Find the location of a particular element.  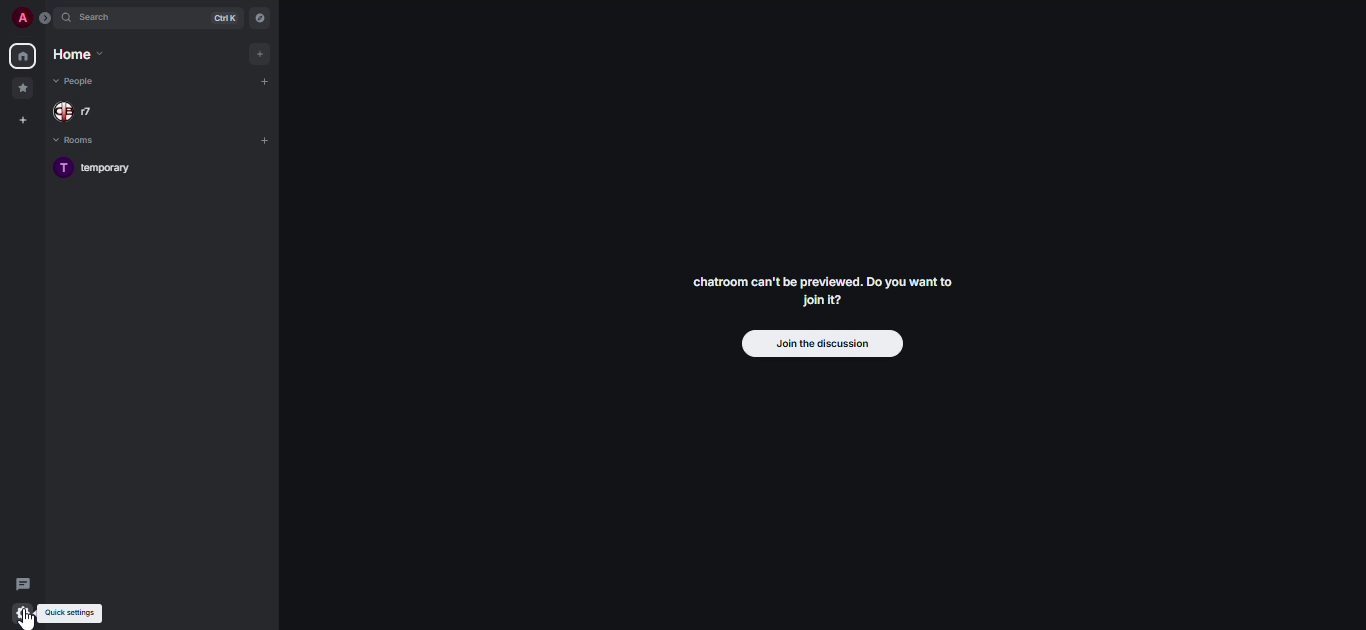

profile is located at coordinates (20, 17).